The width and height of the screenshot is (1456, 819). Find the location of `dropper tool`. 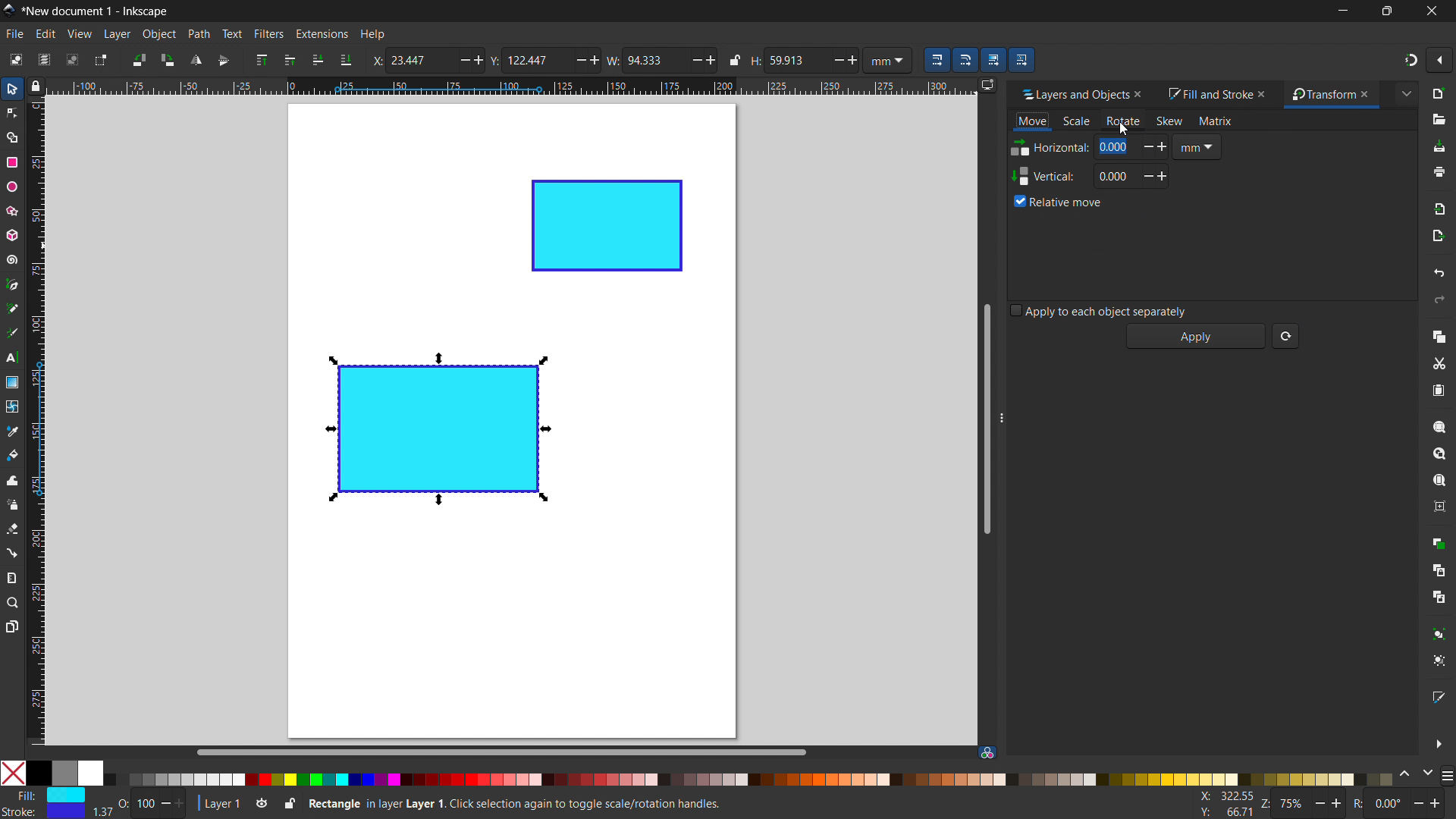

dropper tool is located at coordinates (12, 431).